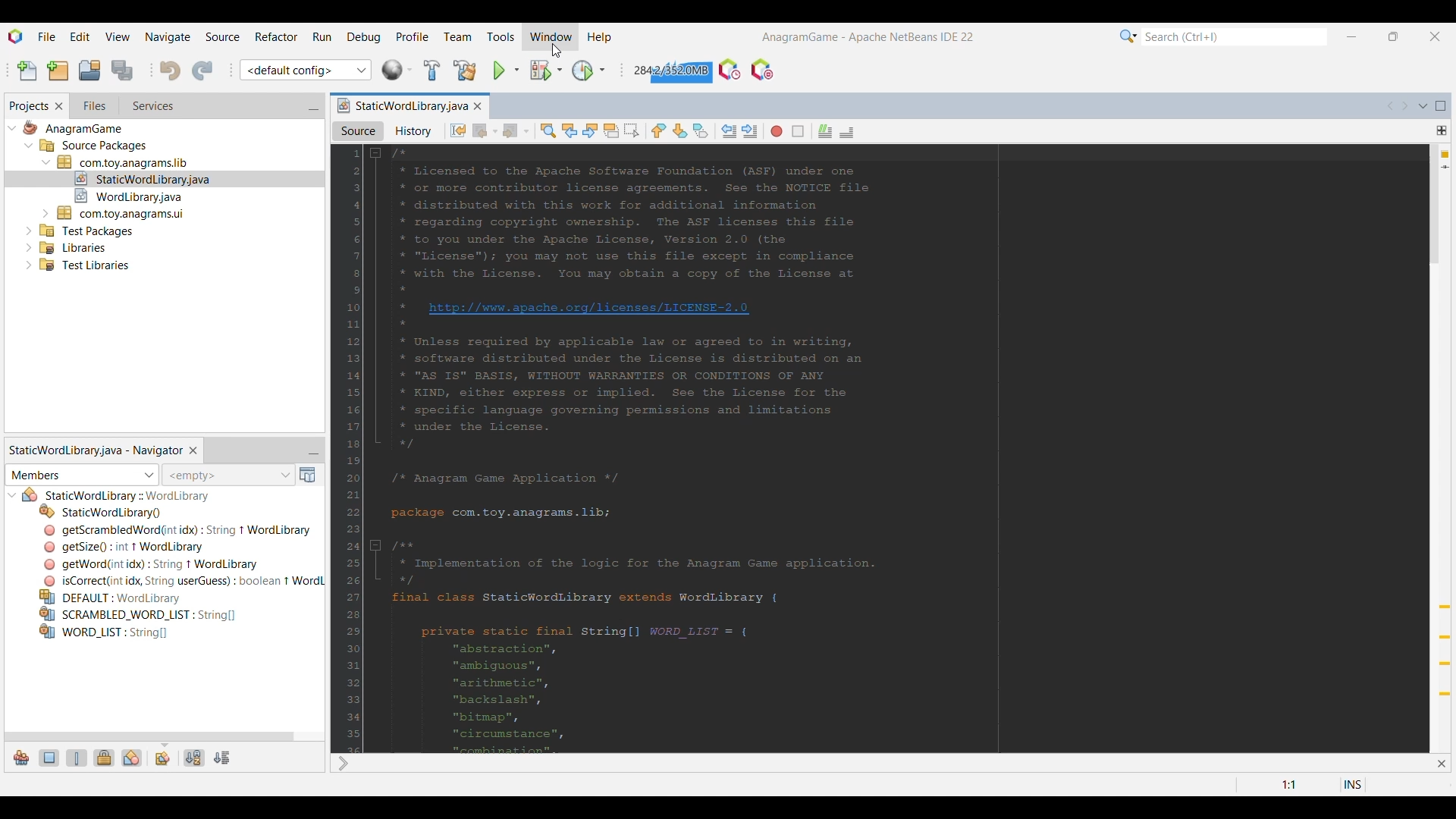 This screenshot has width=1456, height=819. Describe the element at coordinates (516, 70) in the screenshot. I see `Run project options` at that location.